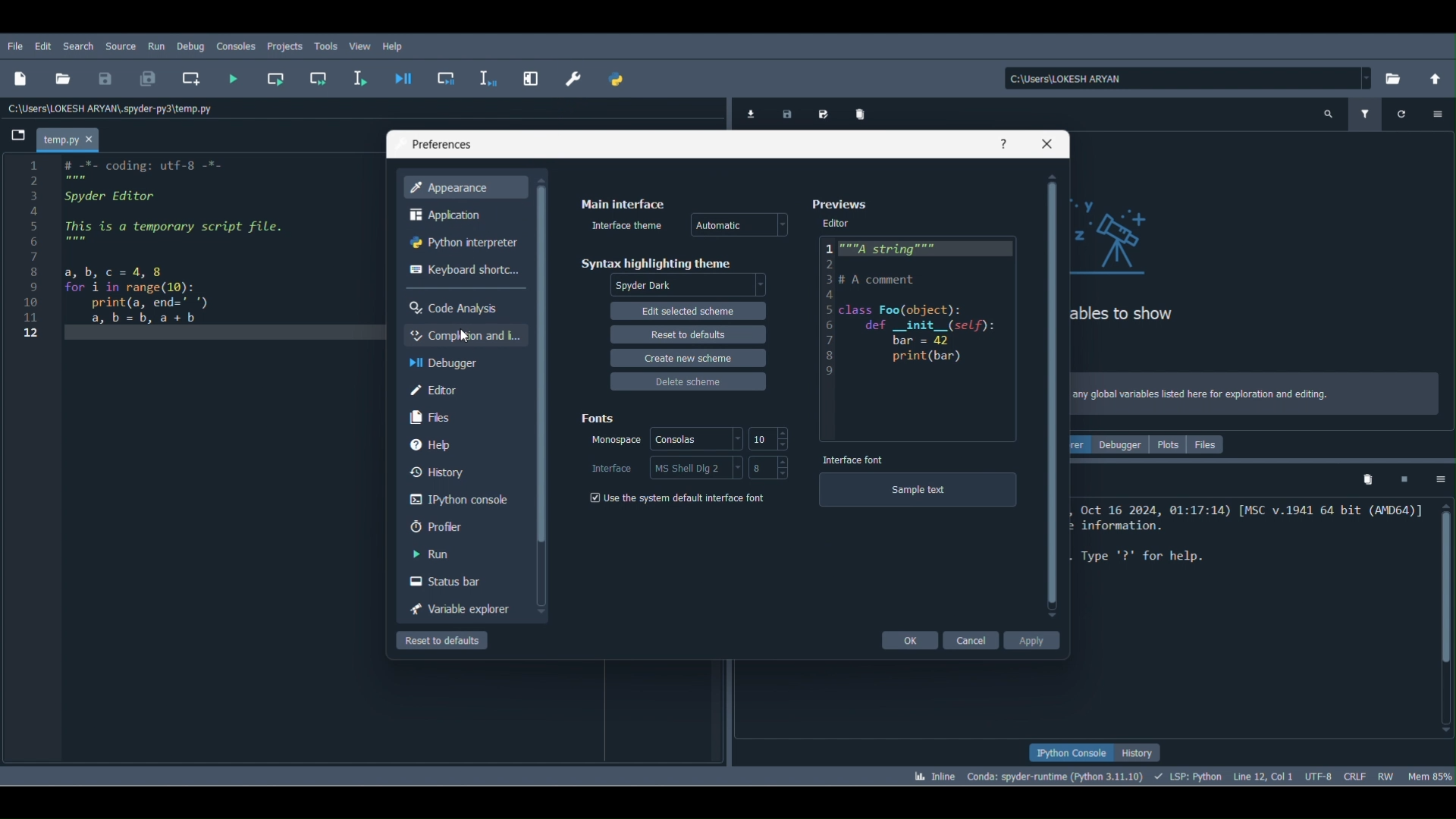 The height and width of the screenshot is (819, 1456). What do you see at coordinates (20, 82) in the screenshot?
I see `New file (Ctrl + N)` at bounding box center [20, 82].